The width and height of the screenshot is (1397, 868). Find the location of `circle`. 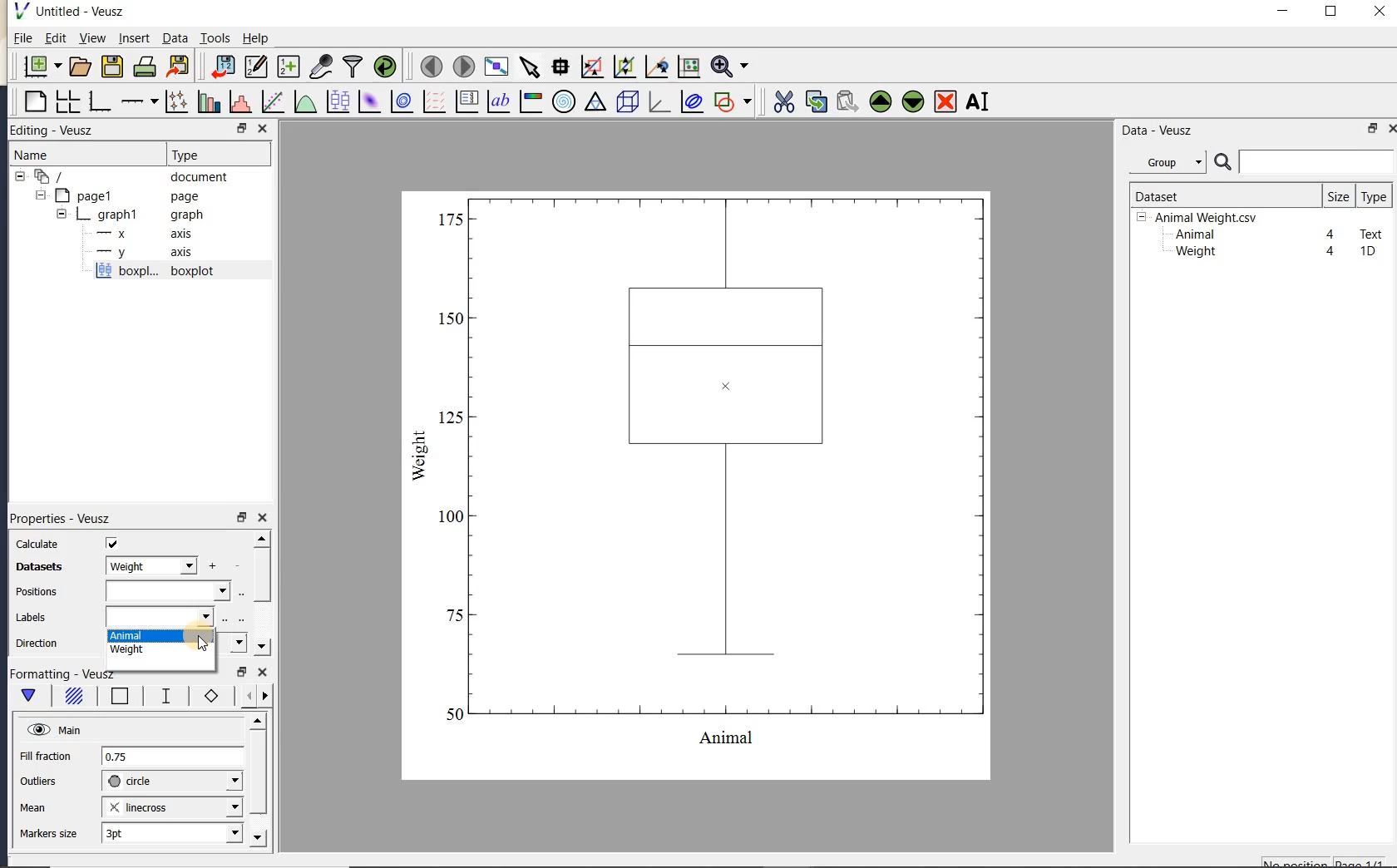

circle is located at coordinates (172, 782).